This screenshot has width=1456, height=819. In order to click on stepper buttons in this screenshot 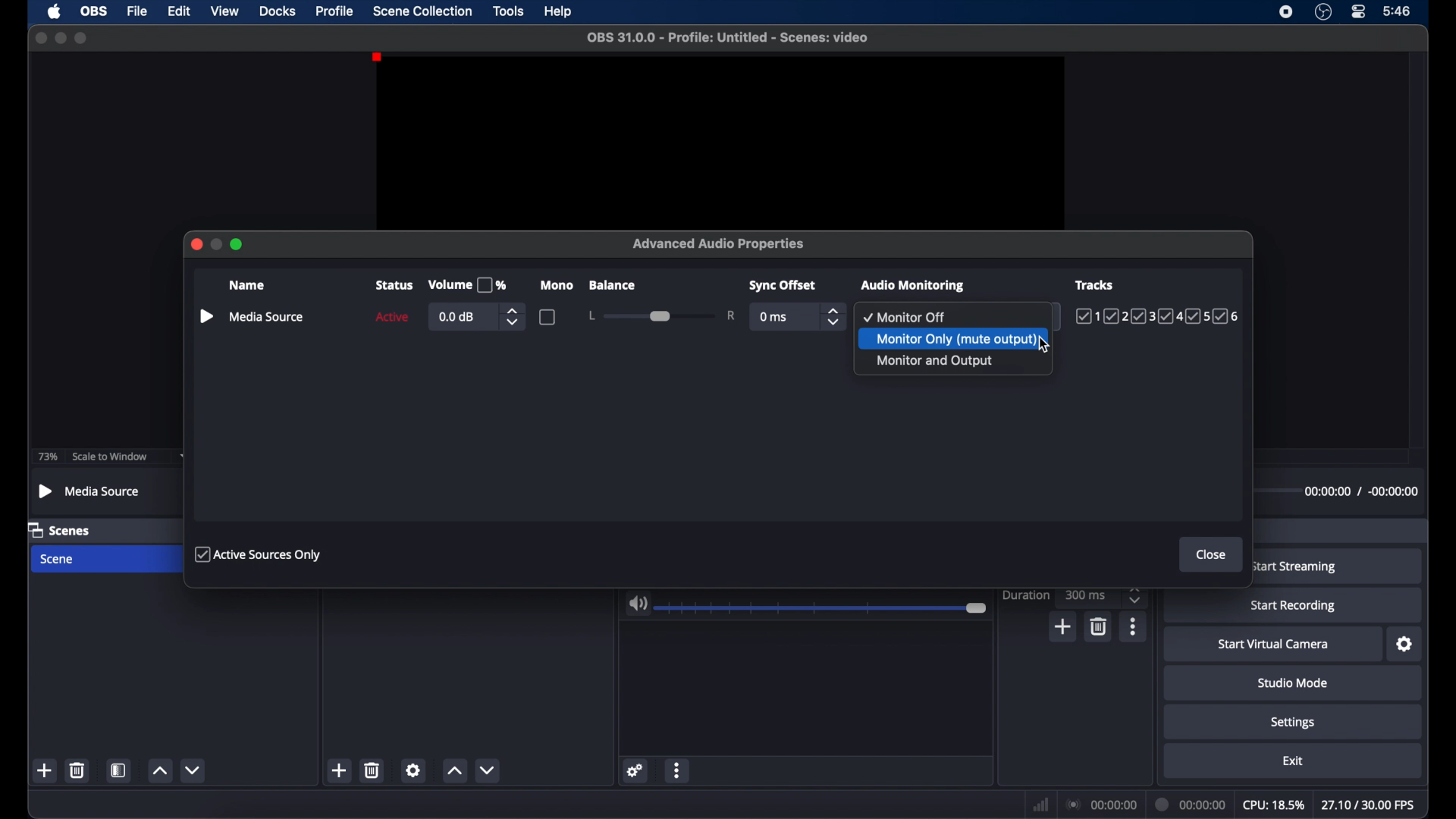, I will do `click(1134, 595)`.